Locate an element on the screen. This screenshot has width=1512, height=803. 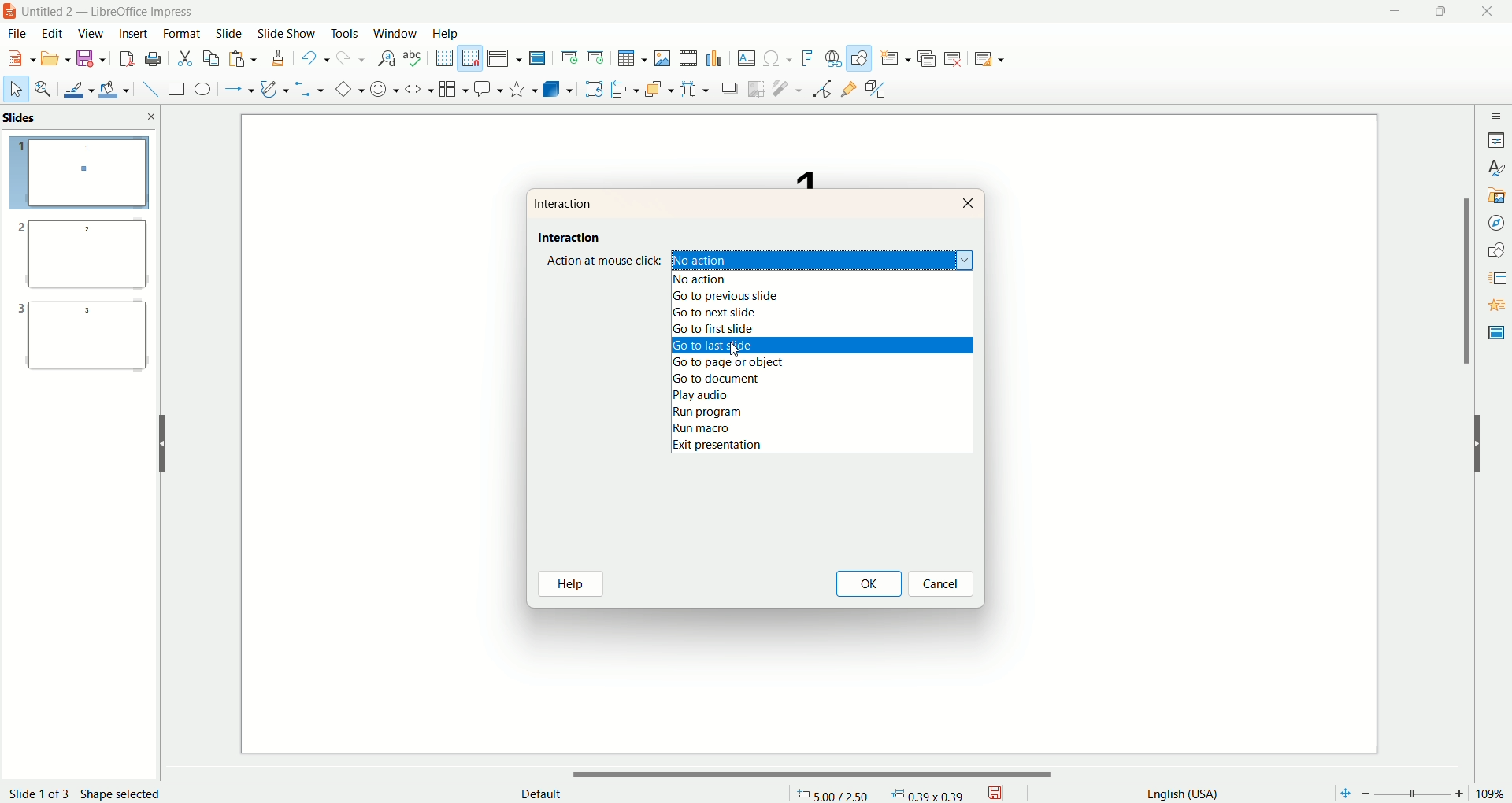
help is located at coordinates (446, 33).